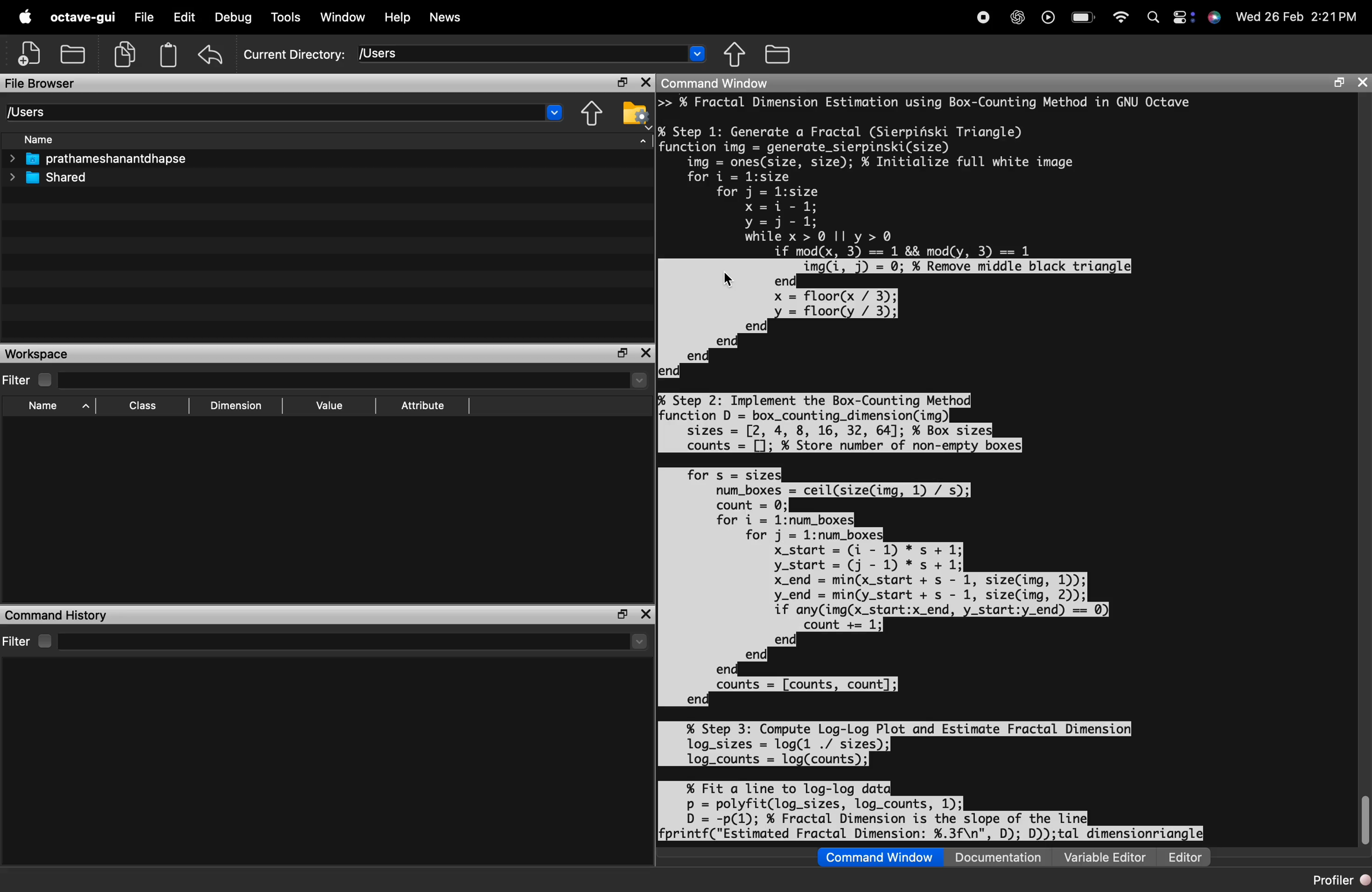  What do you see at coordinates (22, 16) in the screenshot?
I see `logo` at bounding box center [22, 16].